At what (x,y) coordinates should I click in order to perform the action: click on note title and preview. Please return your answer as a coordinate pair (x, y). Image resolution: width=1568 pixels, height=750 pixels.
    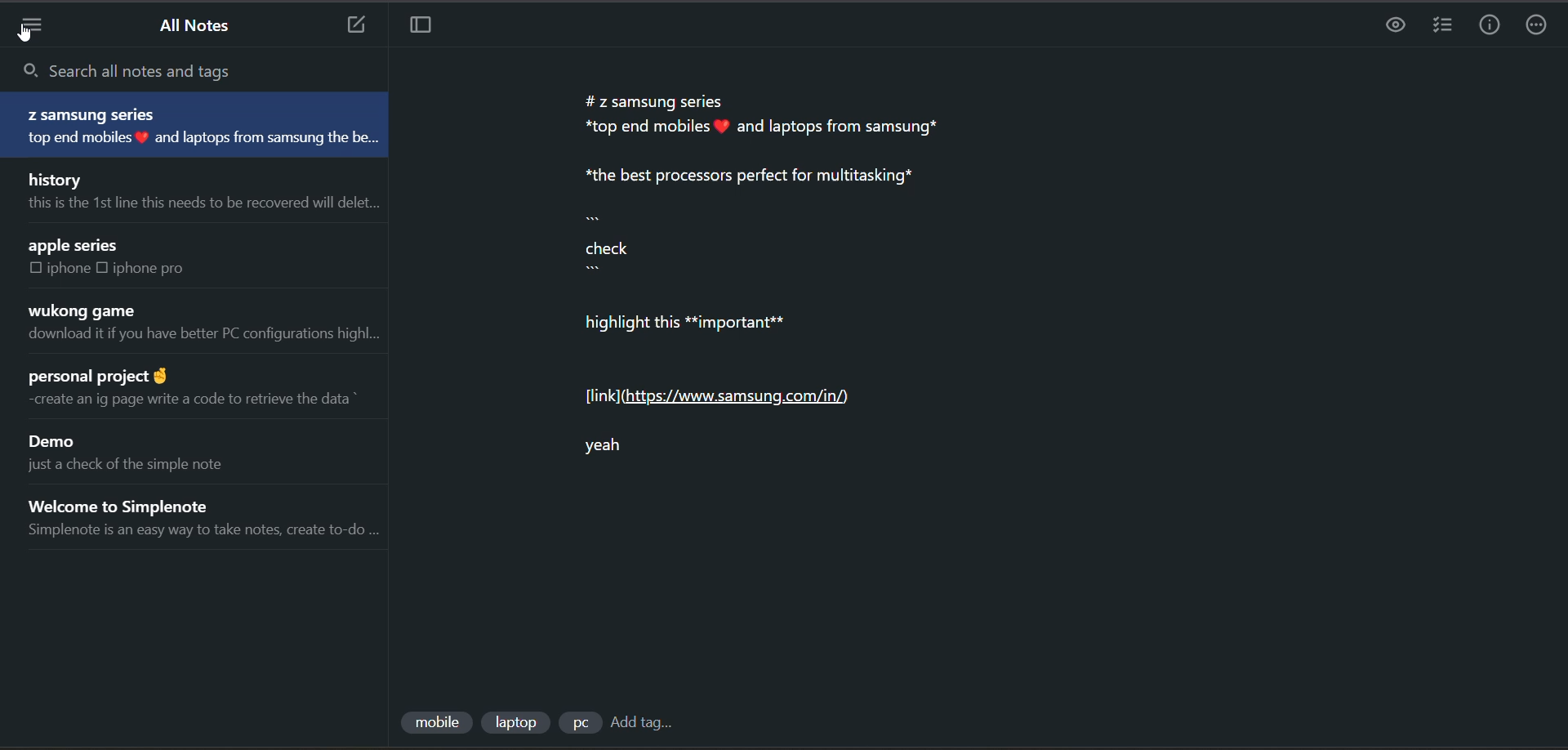
    Looking at the image, I should click on (216, 516).